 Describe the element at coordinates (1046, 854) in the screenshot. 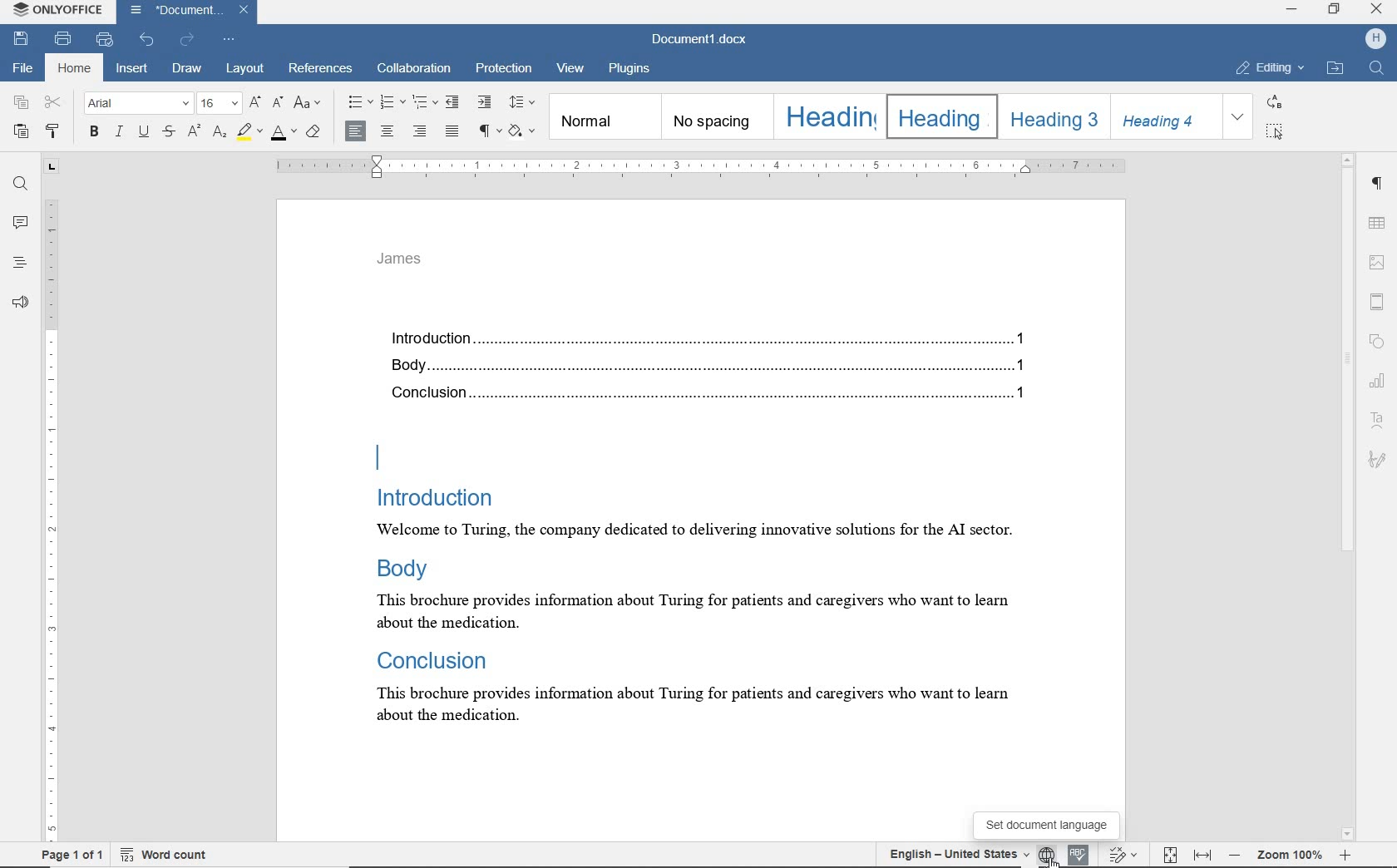

I see `set document language` at that location.